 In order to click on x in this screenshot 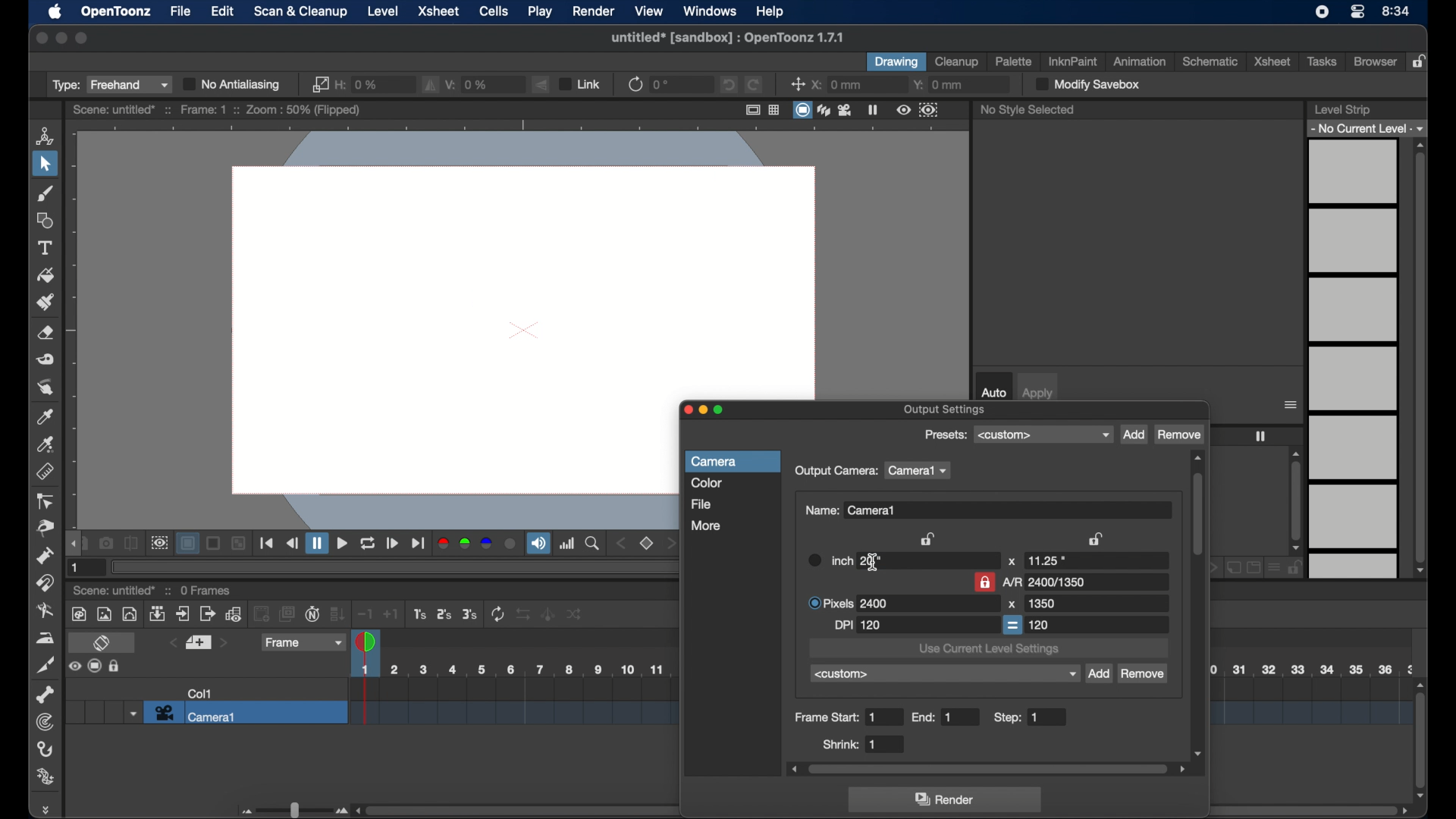, I will do `click(836, 84)`.